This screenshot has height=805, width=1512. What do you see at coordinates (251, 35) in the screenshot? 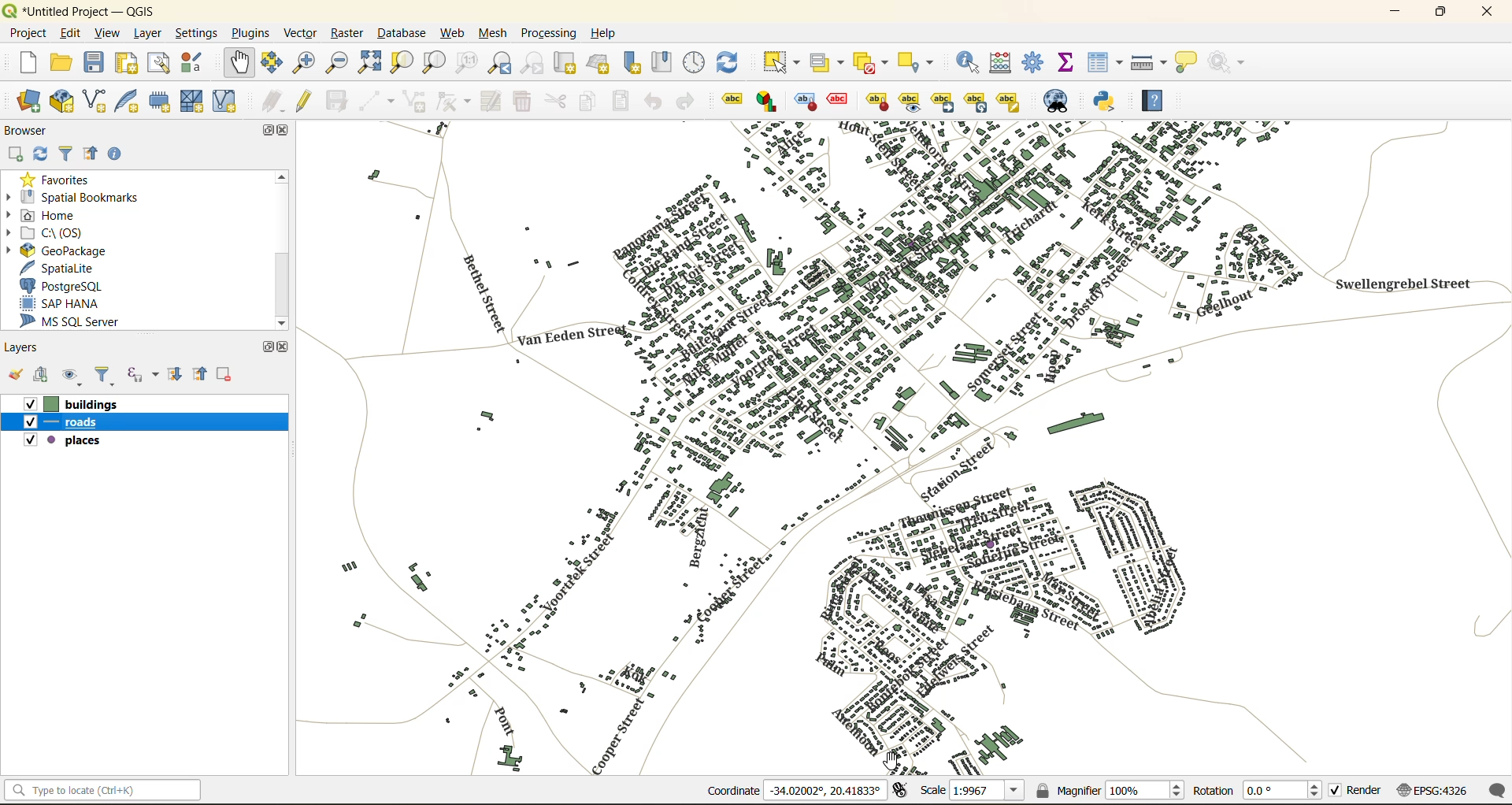
I see `plugins` at bounding box center [251, 35].